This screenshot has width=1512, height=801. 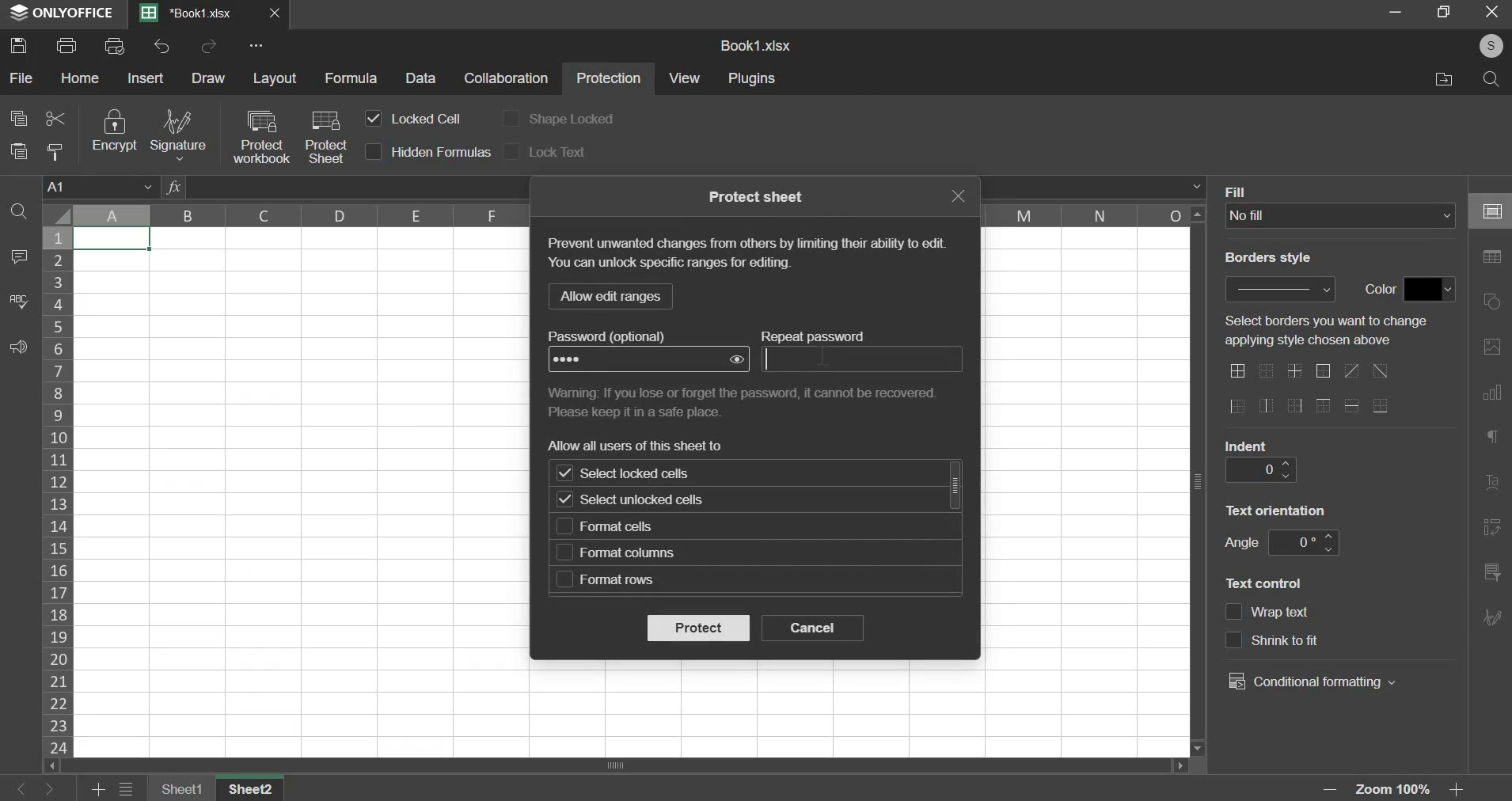 I want to click on shape locked, so click(x=572, y=120).